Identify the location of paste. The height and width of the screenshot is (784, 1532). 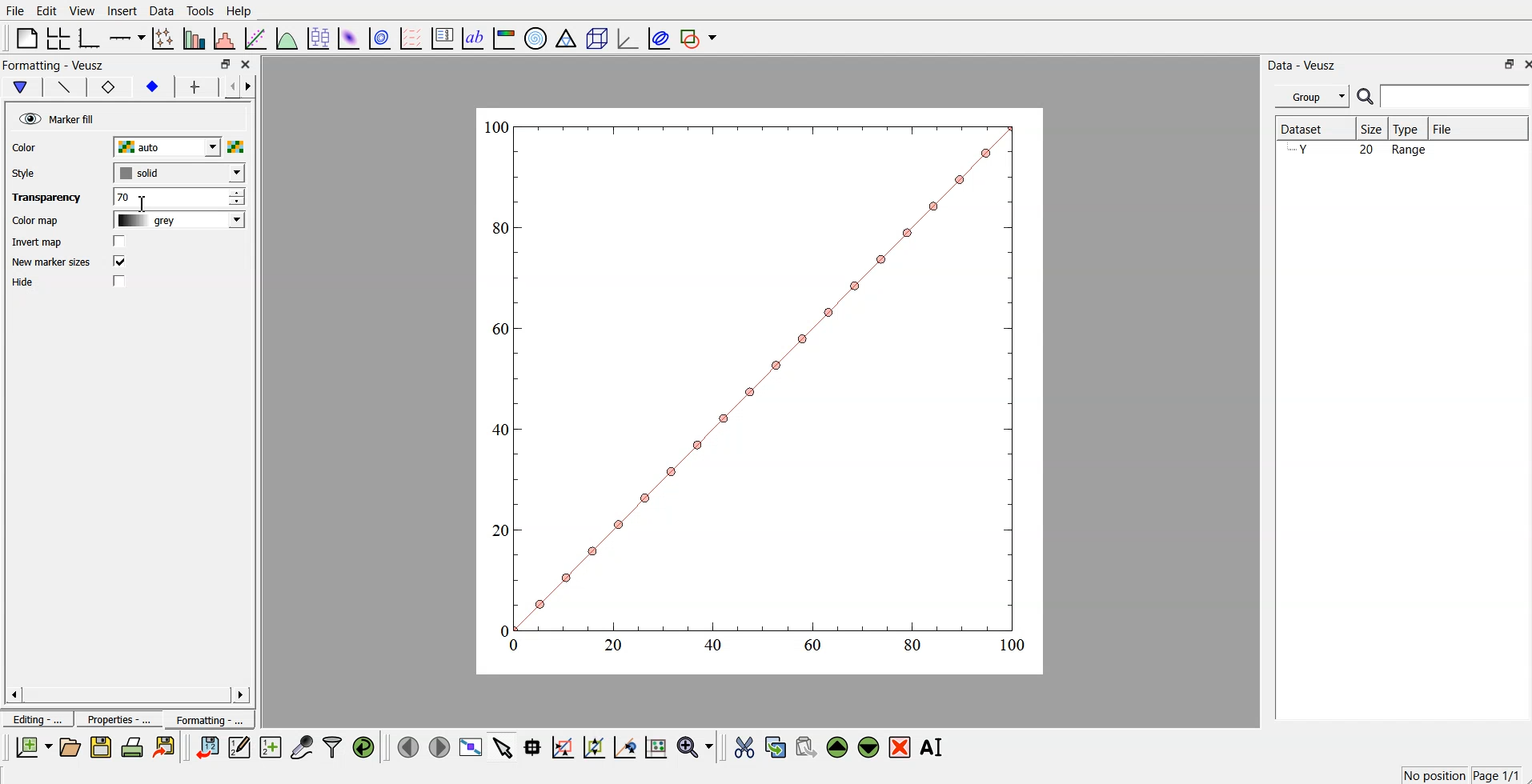
(807, 745).